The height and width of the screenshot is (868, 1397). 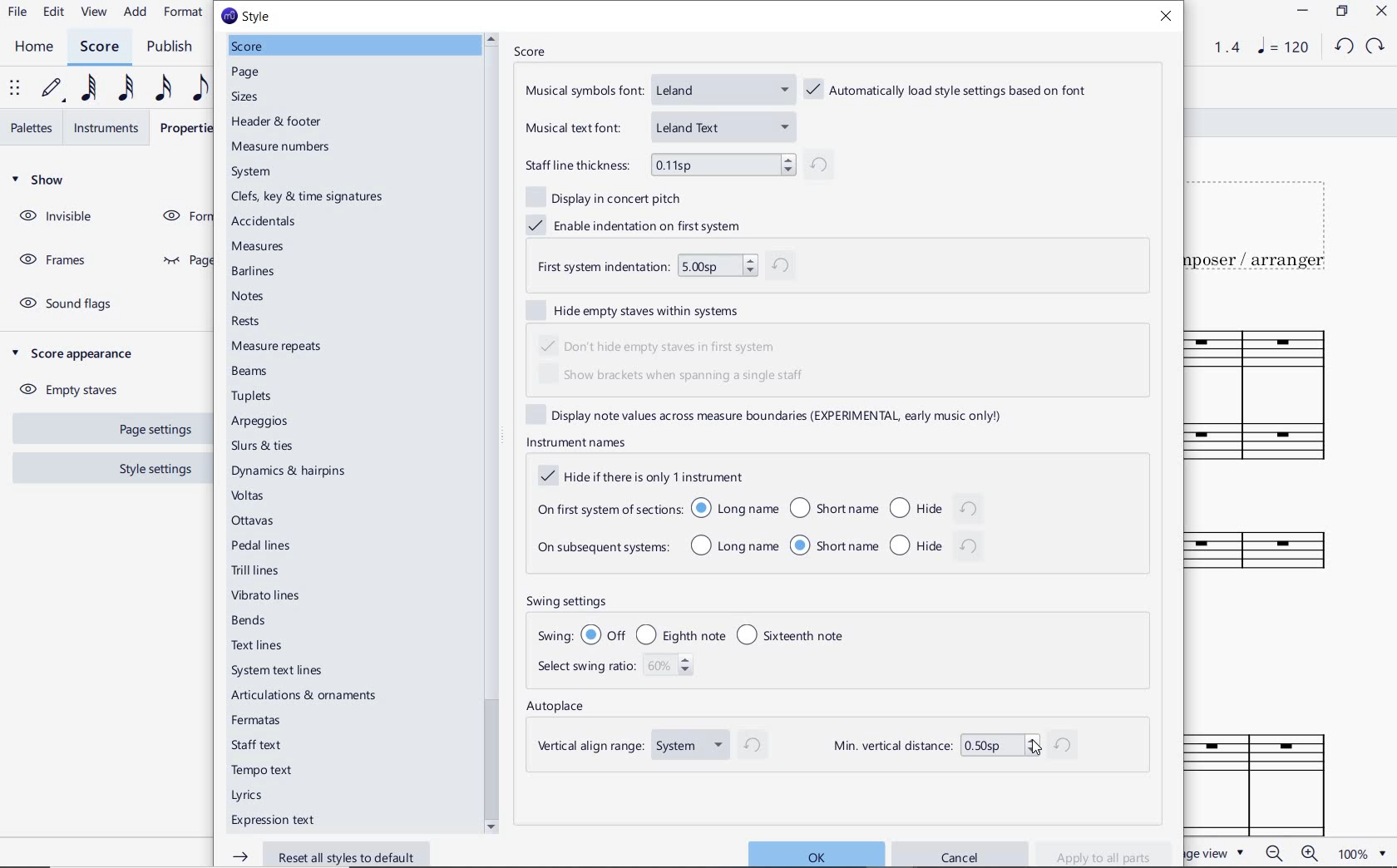 I want to click on EMPTY STAVES, so click(x=76, y=387).